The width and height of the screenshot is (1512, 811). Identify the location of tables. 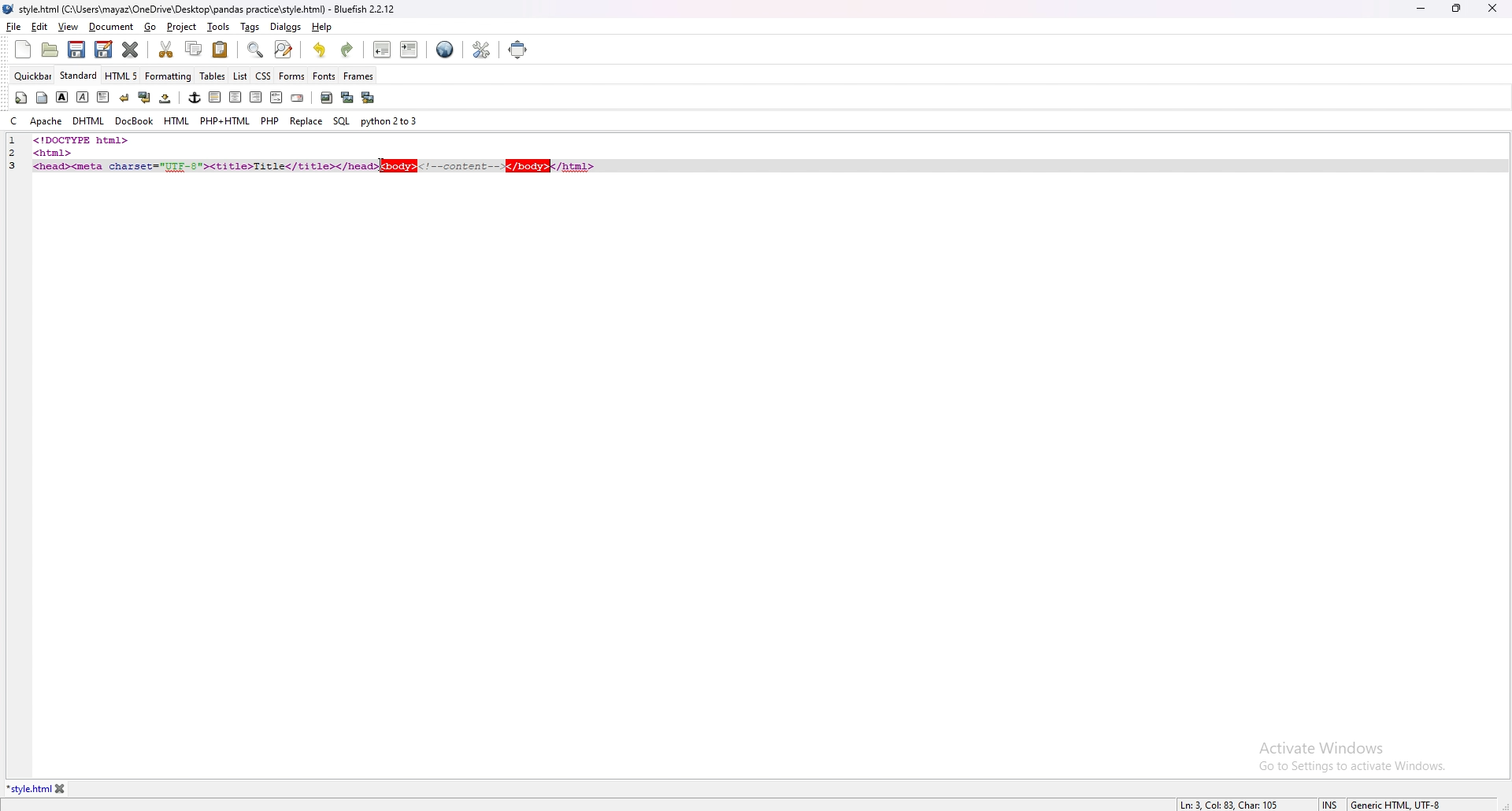
(213, 76).